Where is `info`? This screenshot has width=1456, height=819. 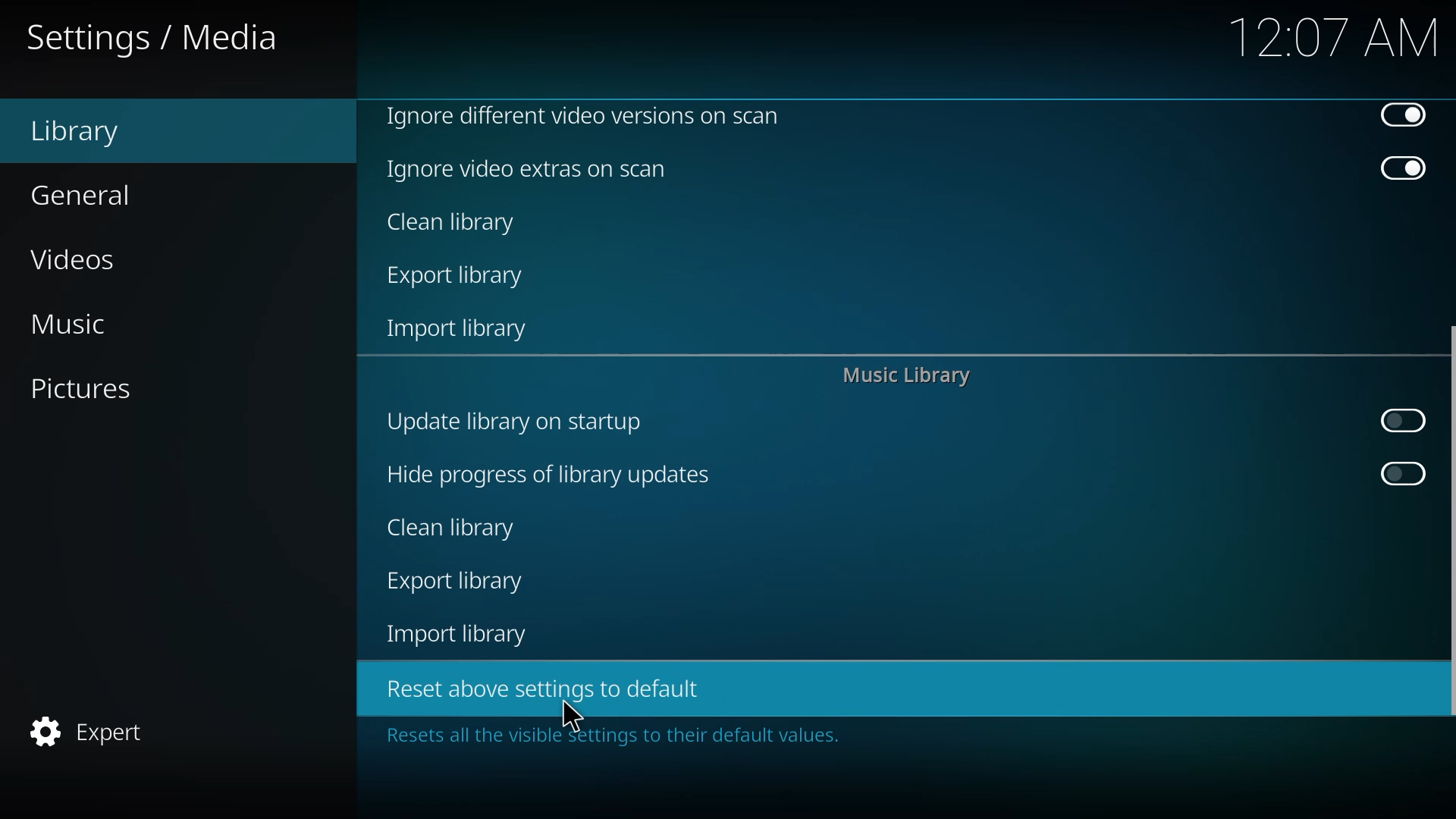 info is located at coordinates (606, 736).